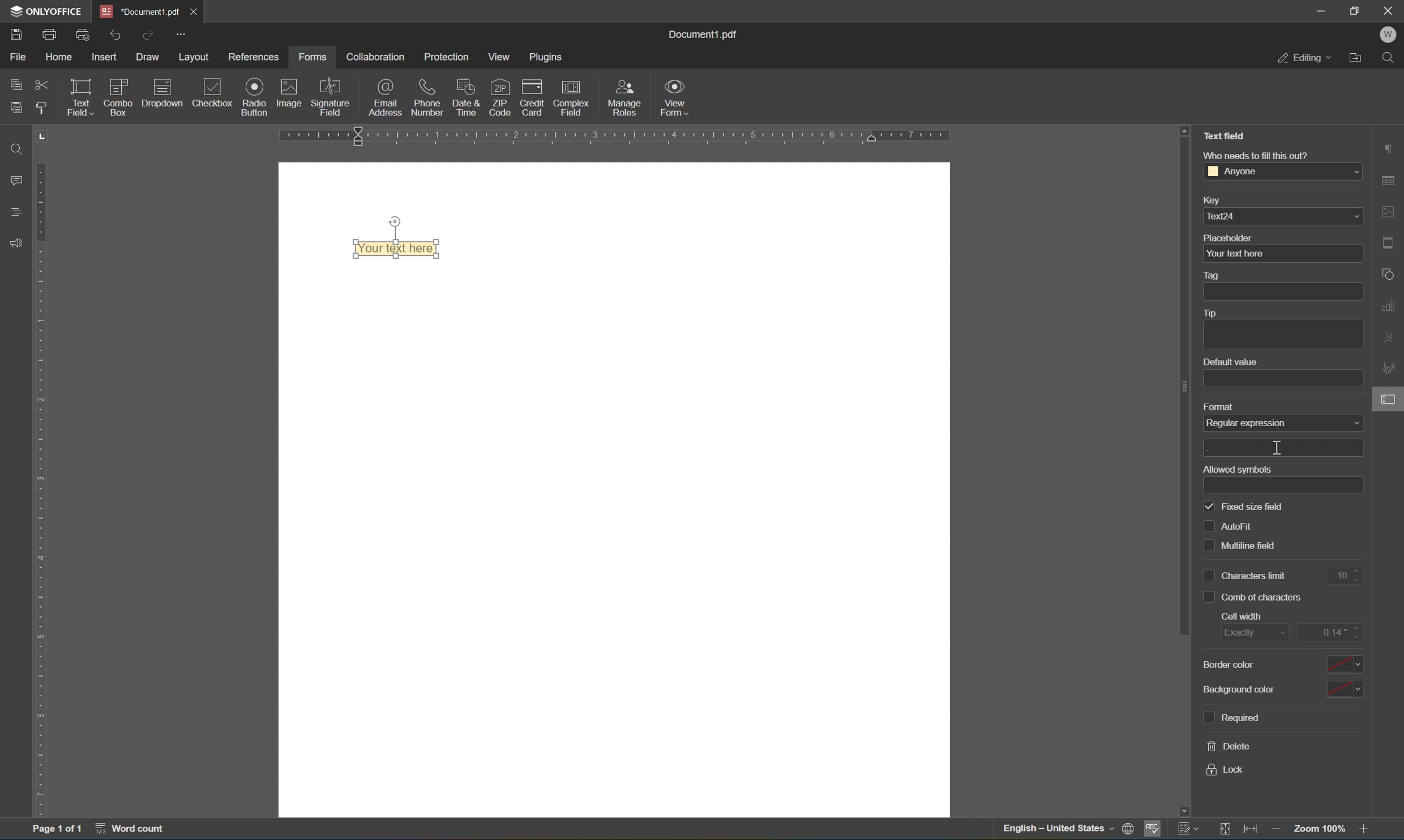 This screenshot has height=840, width=1404. Describe the element at coordinates (1304, 57) in the screenshot. I see `editing` at that location.